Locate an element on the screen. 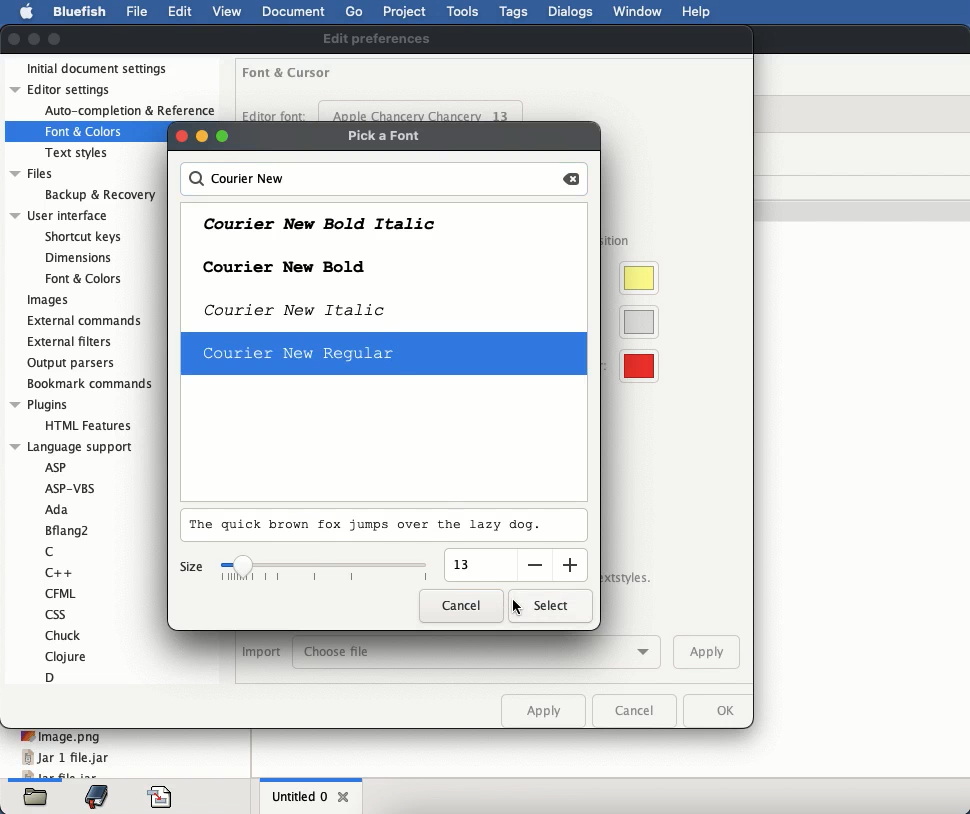 This screenshot has width=970, height=814. apple logo is located at coordinates (27, 12).